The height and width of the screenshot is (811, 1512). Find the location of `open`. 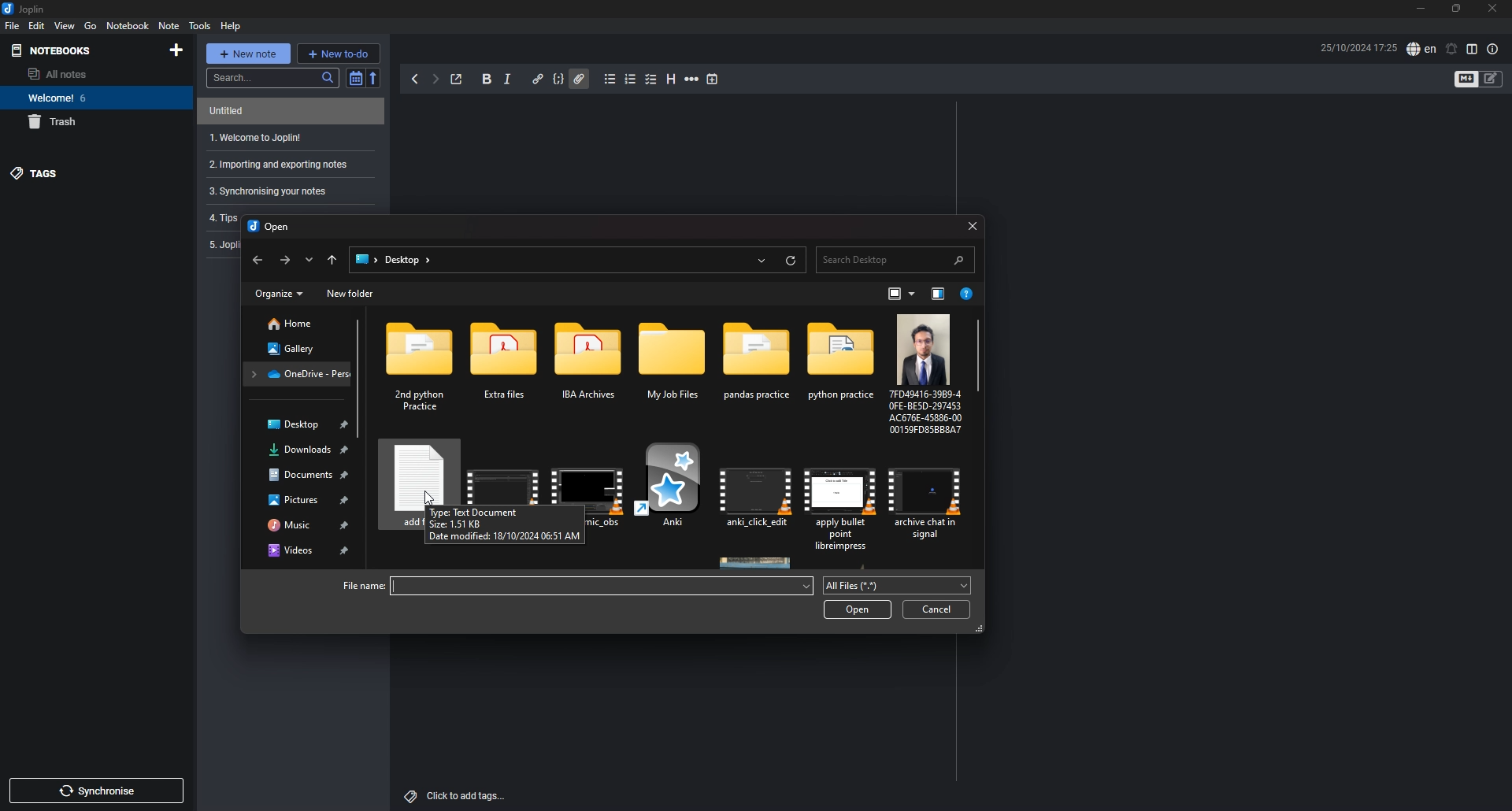

open is located at coordinates (271, 228).